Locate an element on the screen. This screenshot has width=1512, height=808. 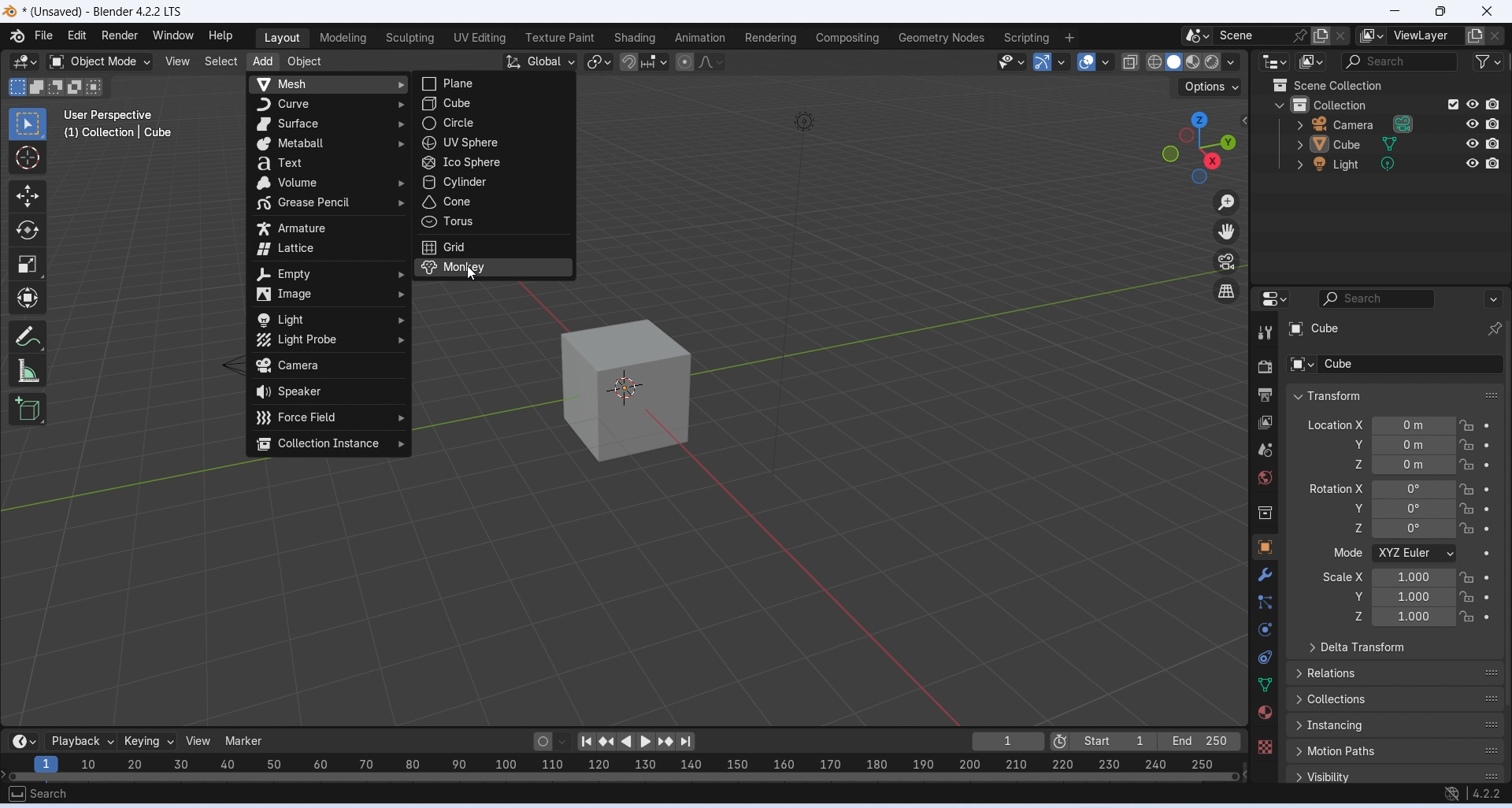
Window is located at coordinates (172, 35).